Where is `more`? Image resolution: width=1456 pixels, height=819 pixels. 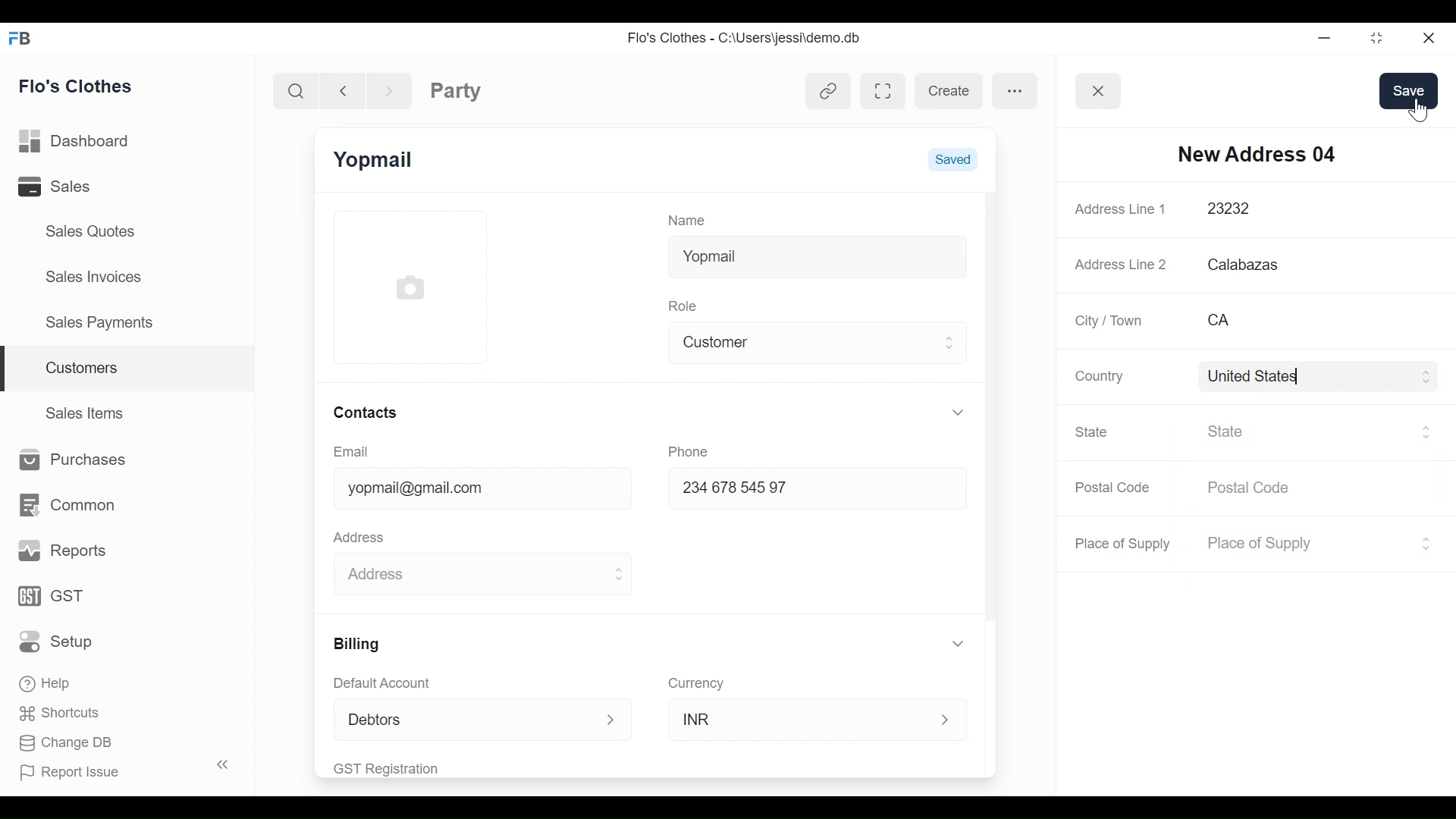
more is located at coordinates (1015, 89).